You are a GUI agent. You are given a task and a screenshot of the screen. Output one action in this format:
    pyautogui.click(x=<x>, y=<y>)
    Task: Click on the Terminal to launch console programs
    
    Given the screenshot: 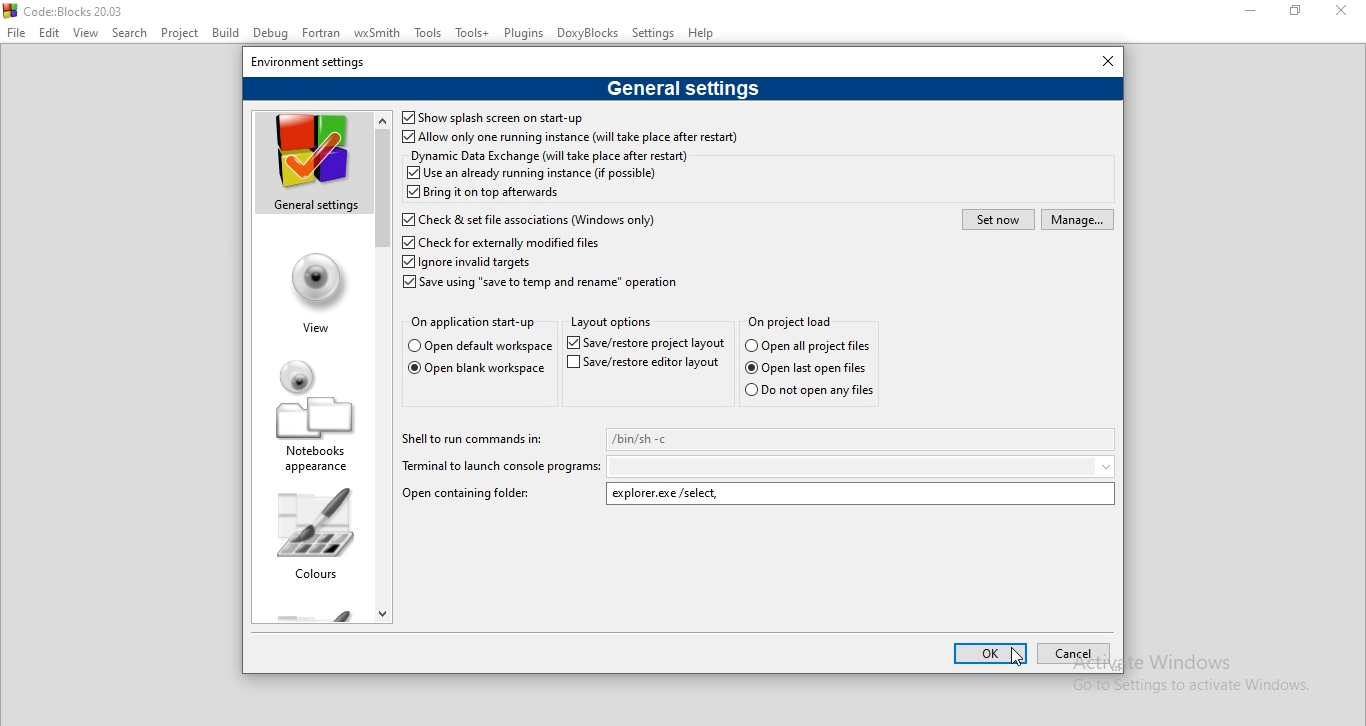 What is the action you would take?
    pyautogui.click(x=501, y=467)
    